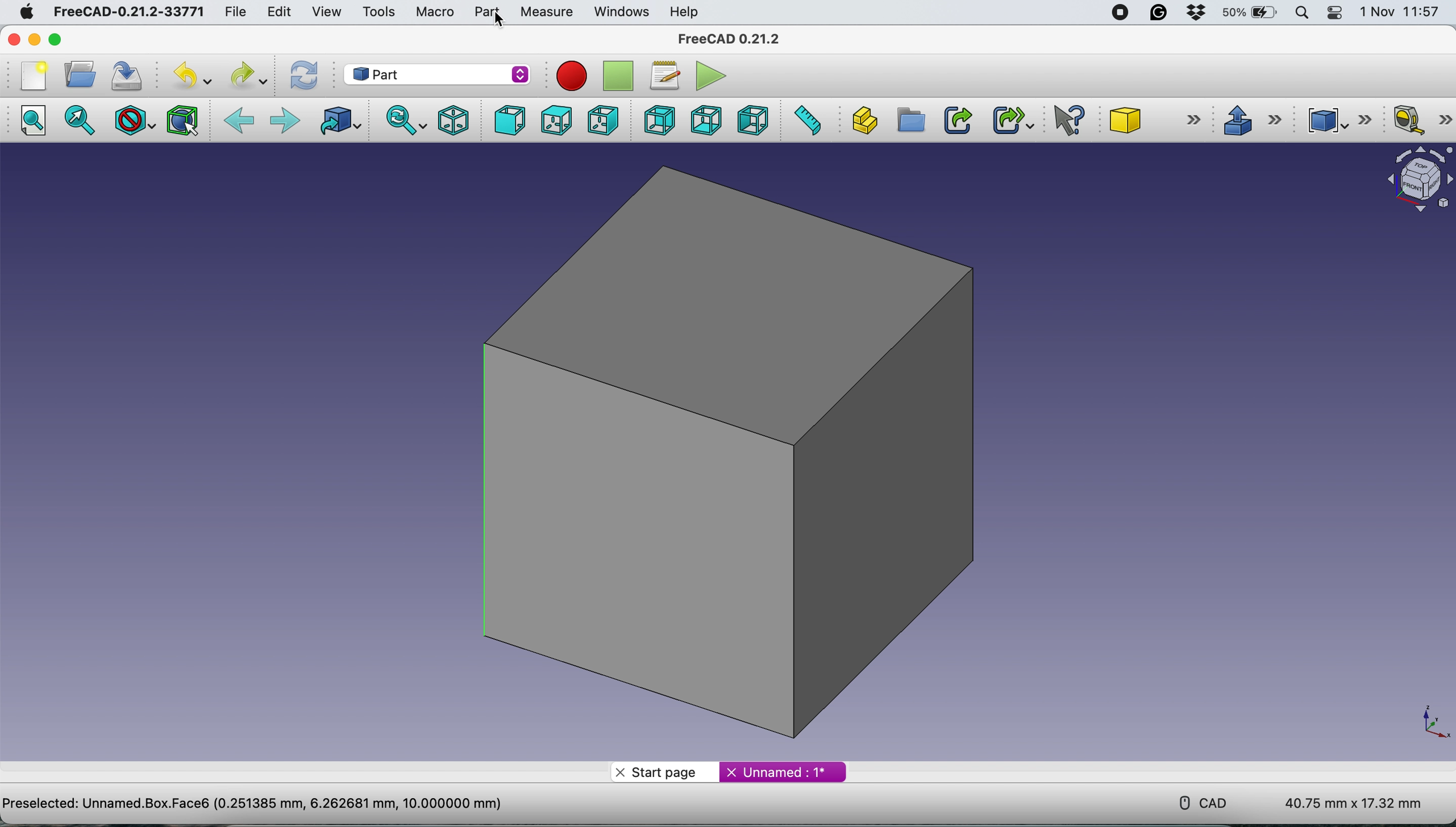 Image resolution: width=1456 pixels, height=827 pixels. Describe the element at coordinates (909, 121) in the screenshot. I see `create group` at that location.